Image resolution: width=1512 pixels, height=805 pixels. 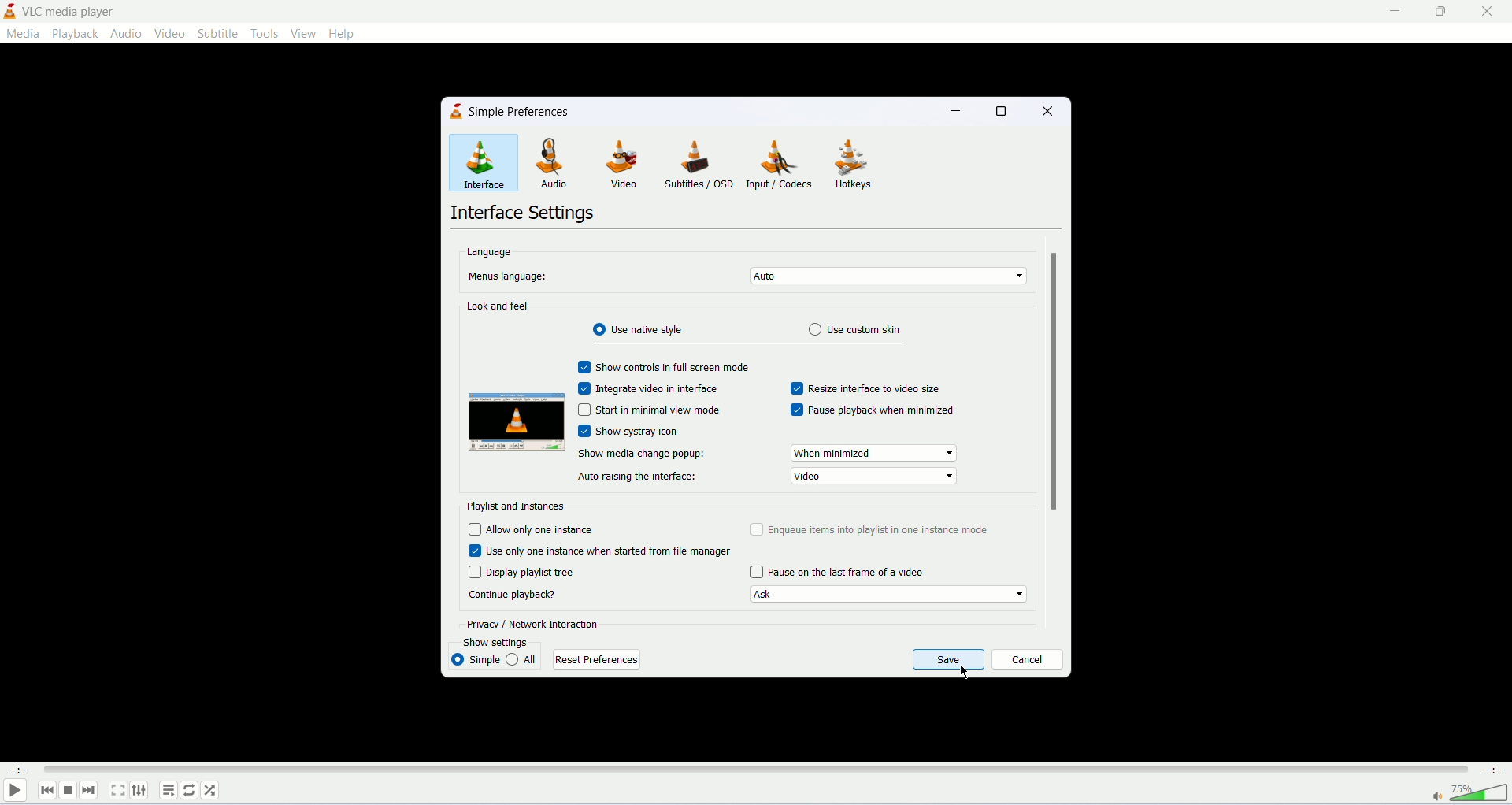 I want to click on text, so click(x=513, y=596).